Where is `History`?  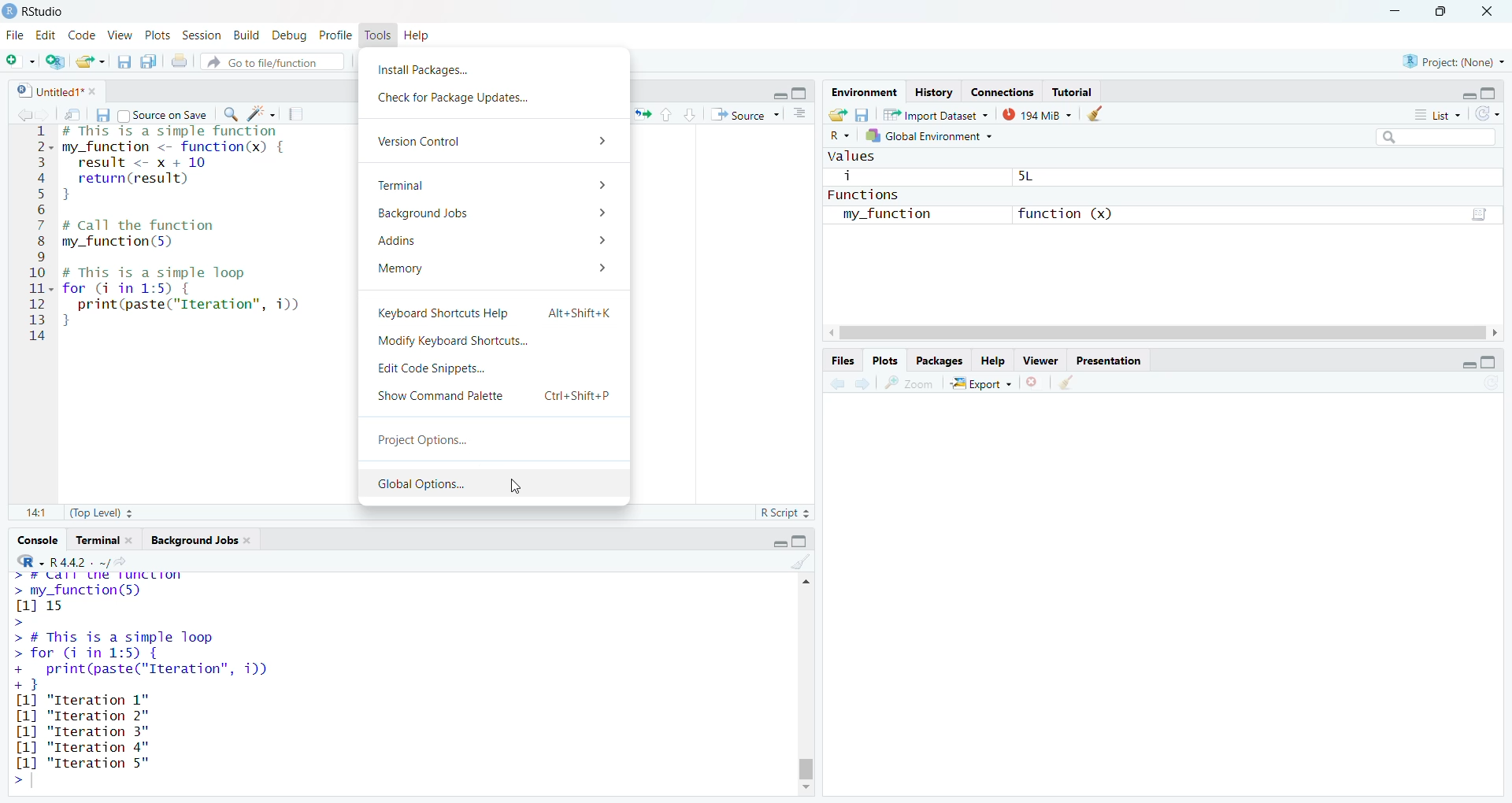 History is located at coordinates (934, 91).